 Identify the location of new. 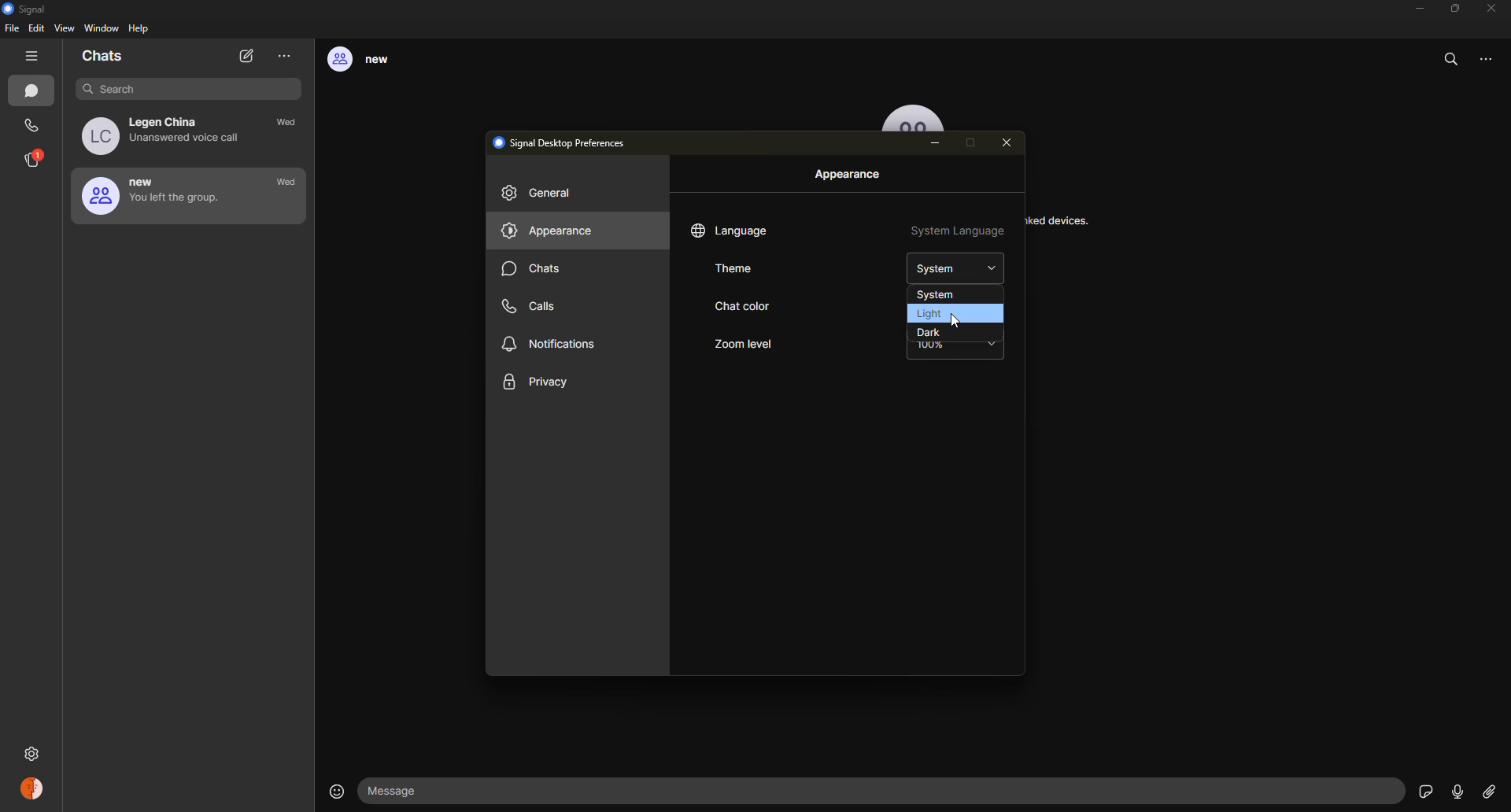
(371, 61).